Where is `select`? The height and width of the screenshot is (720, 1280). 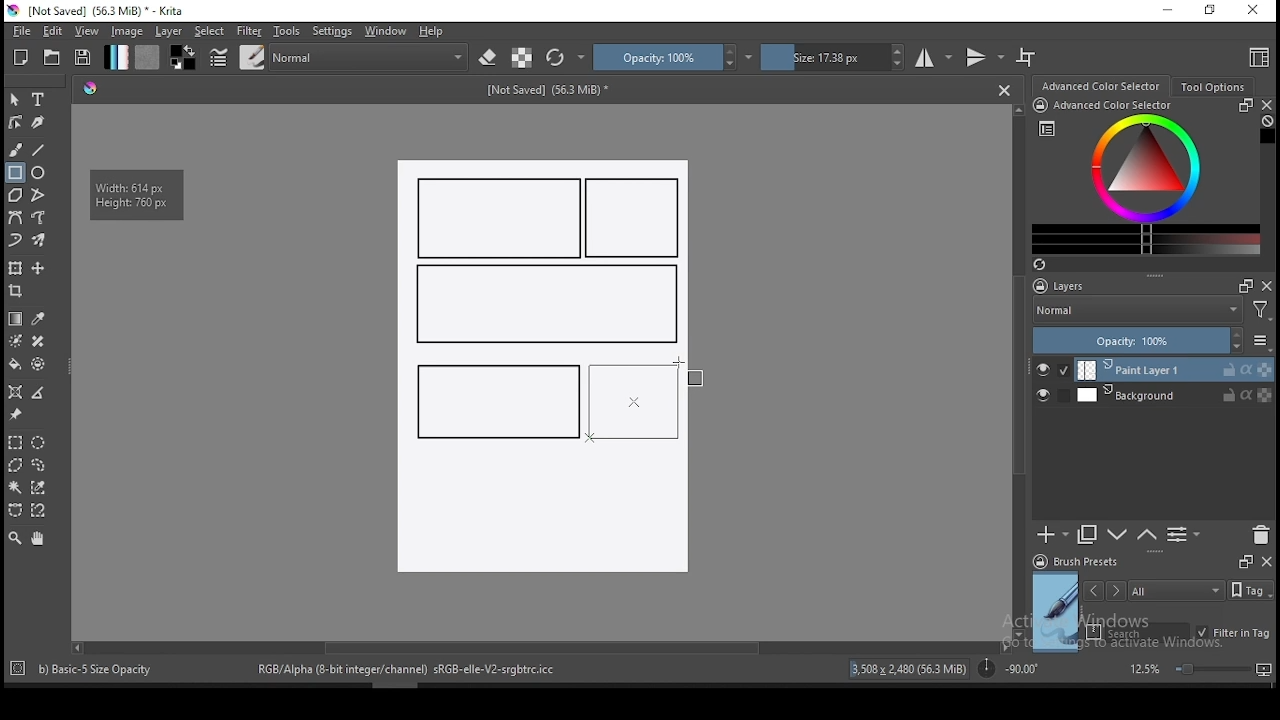
select is located at coordinates (210, 31).